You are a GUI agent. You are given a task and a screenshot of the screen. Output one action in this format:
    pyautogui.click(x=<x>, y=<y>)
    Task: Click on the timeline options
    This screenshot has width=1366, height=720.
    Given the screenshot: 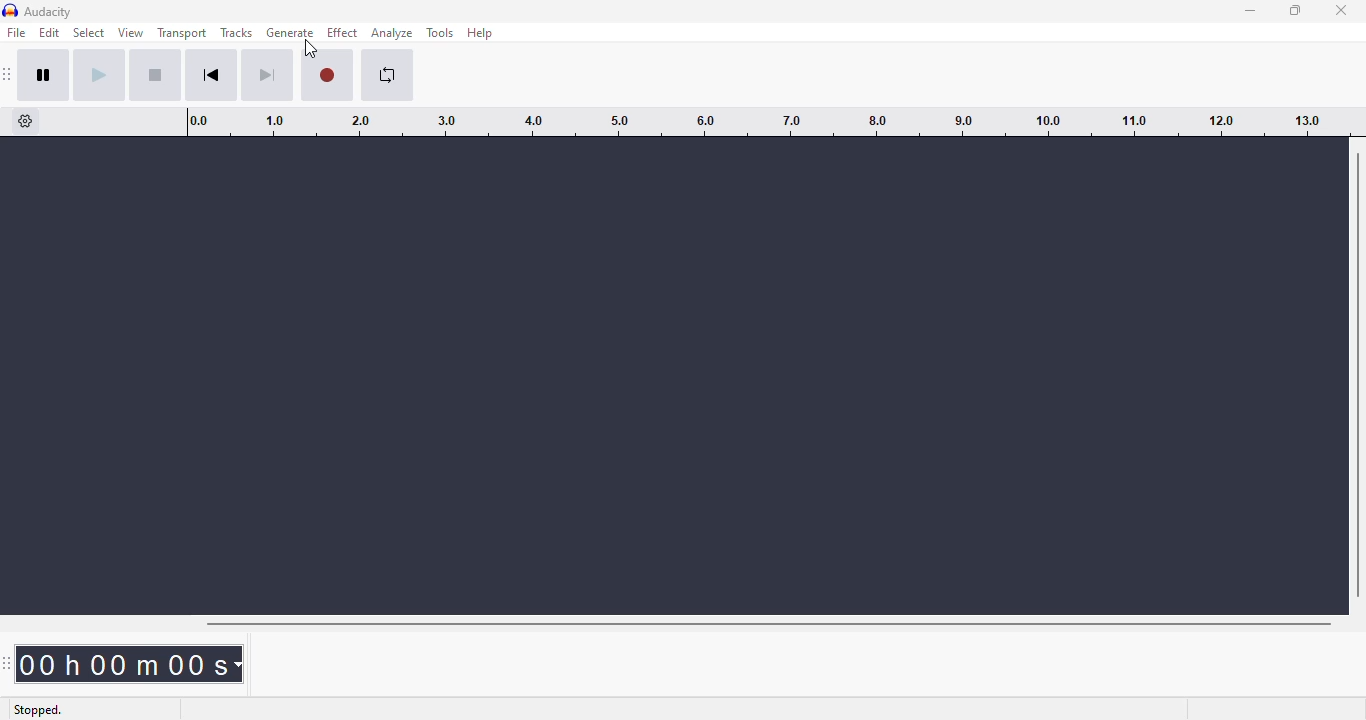 What is the action you would take?
    pyautogui.click(x=26, y=121)
    